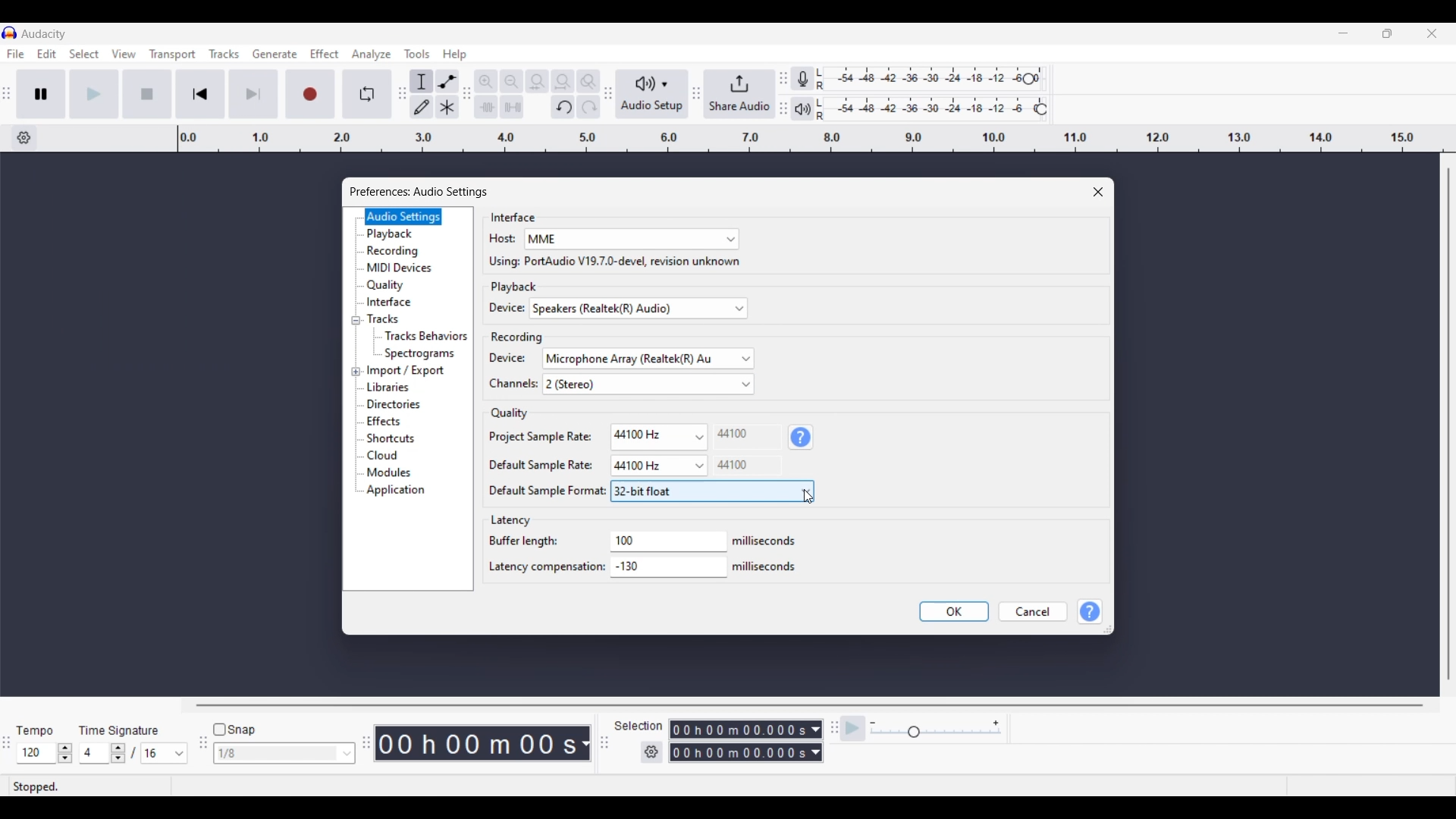 This screenshot has height=819, width=1456. What do you see at coordinates (447, 81) in the screenshot?
I see `Envelop tool` at bounding box center [447, 81].